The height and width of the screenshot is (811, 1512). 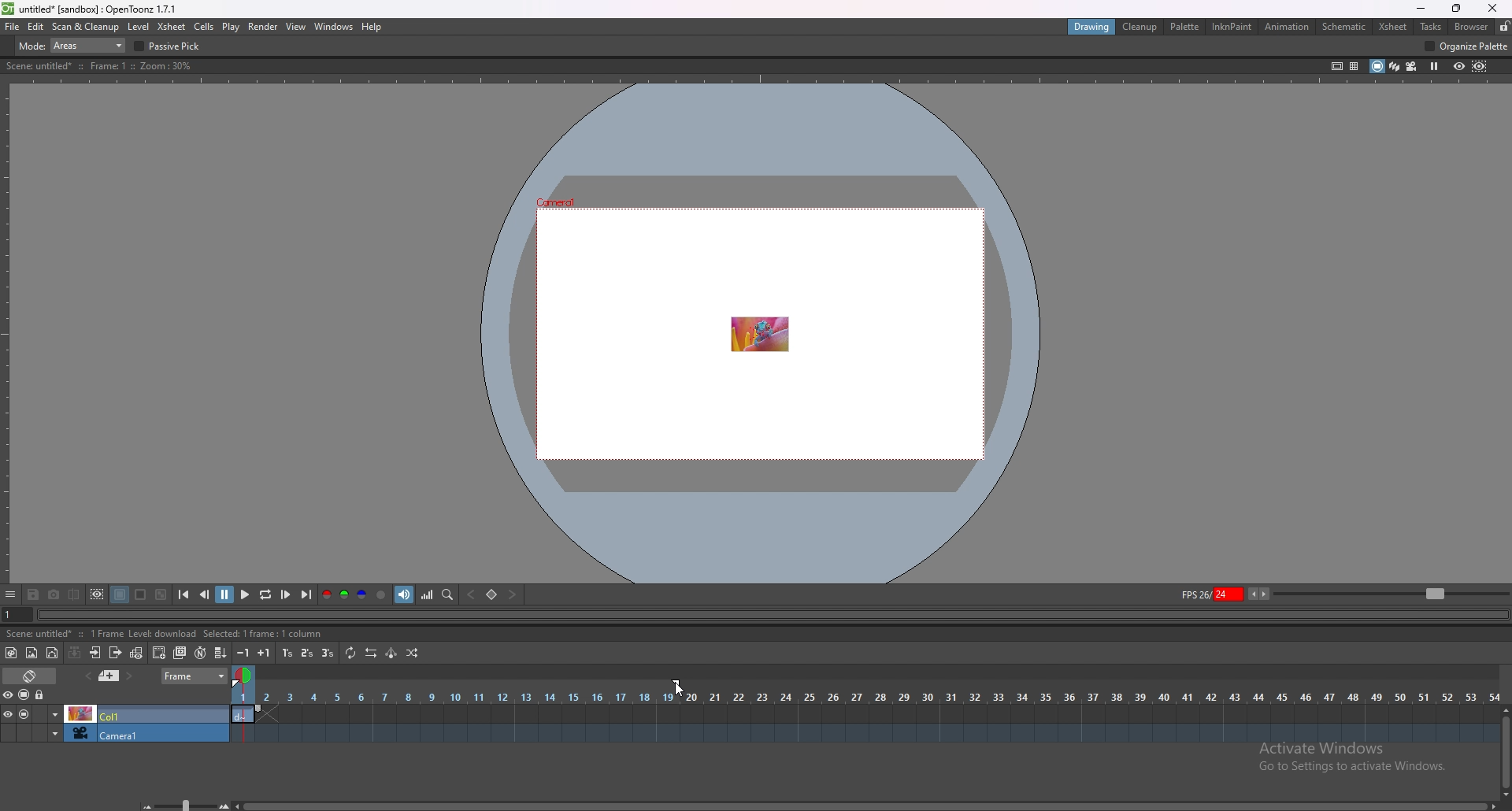 What do you see at coordinates (264, 27) in the screenshot?
I see `render` at bounding box center [264, 27].